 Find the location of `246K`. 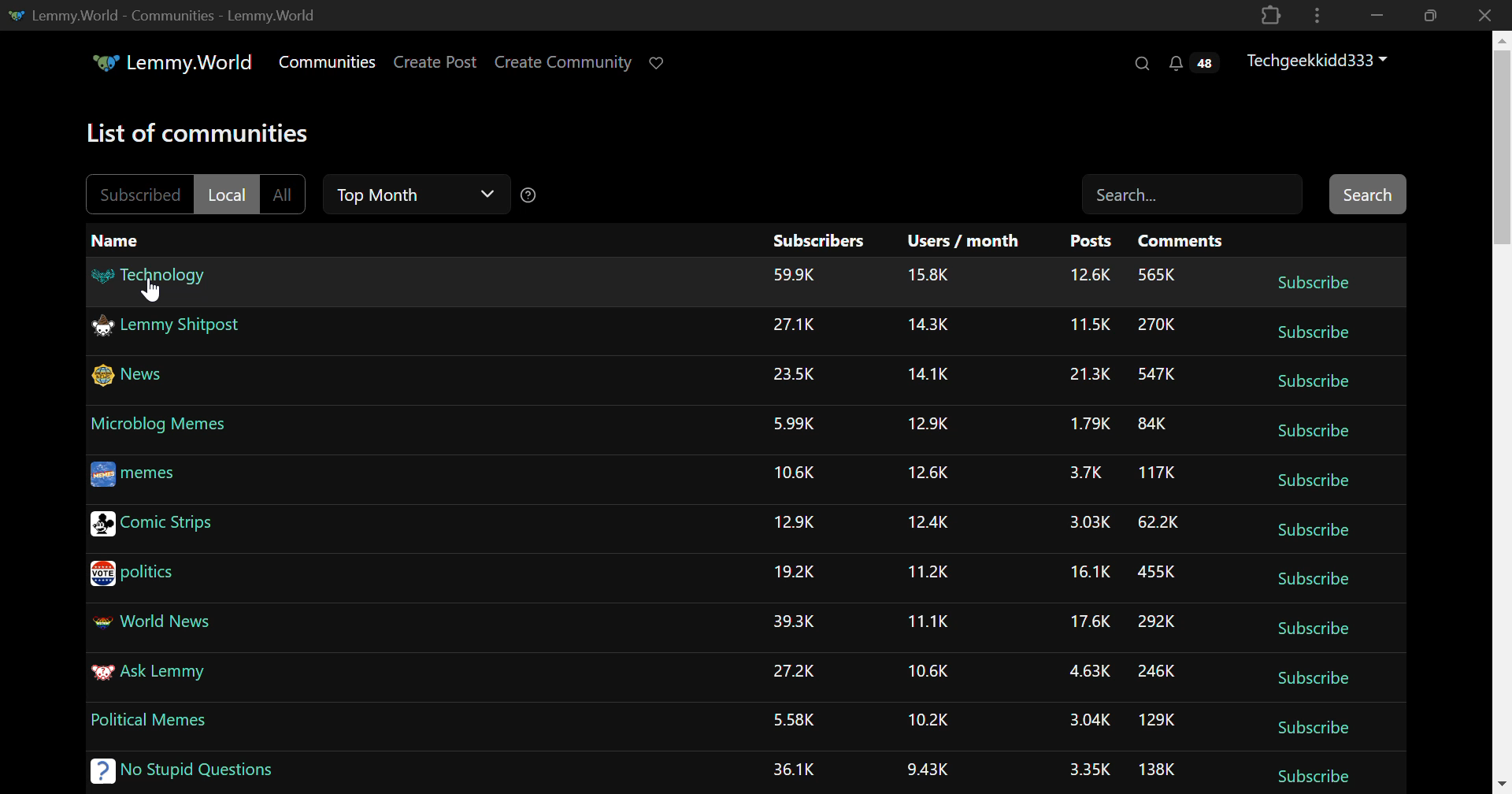

246K is located at coordinates (1157, 670).